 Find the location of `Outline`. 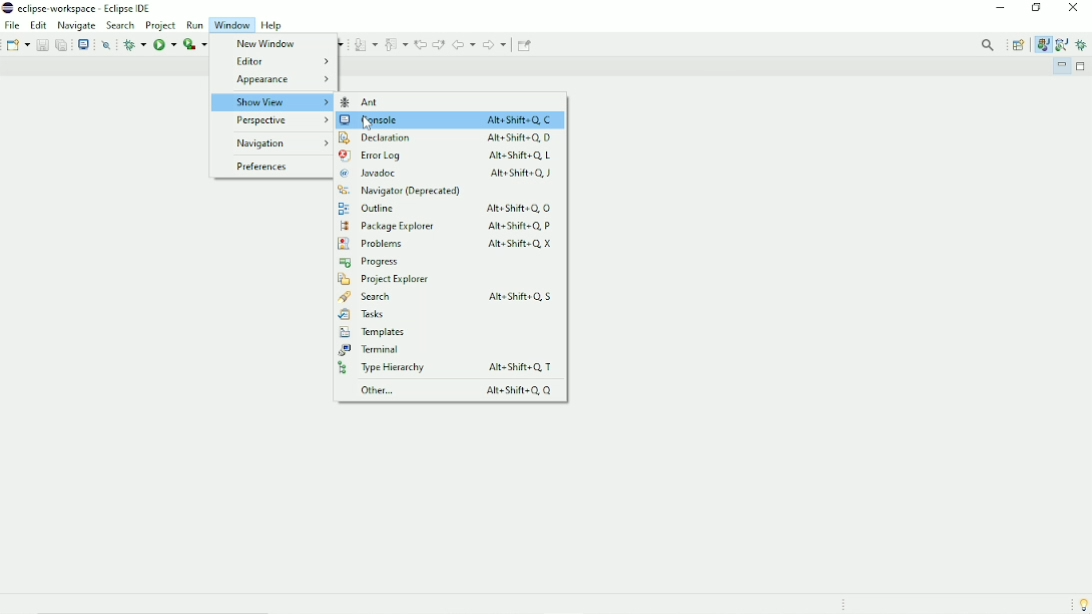

Outline is located at coordinates (443, 208).